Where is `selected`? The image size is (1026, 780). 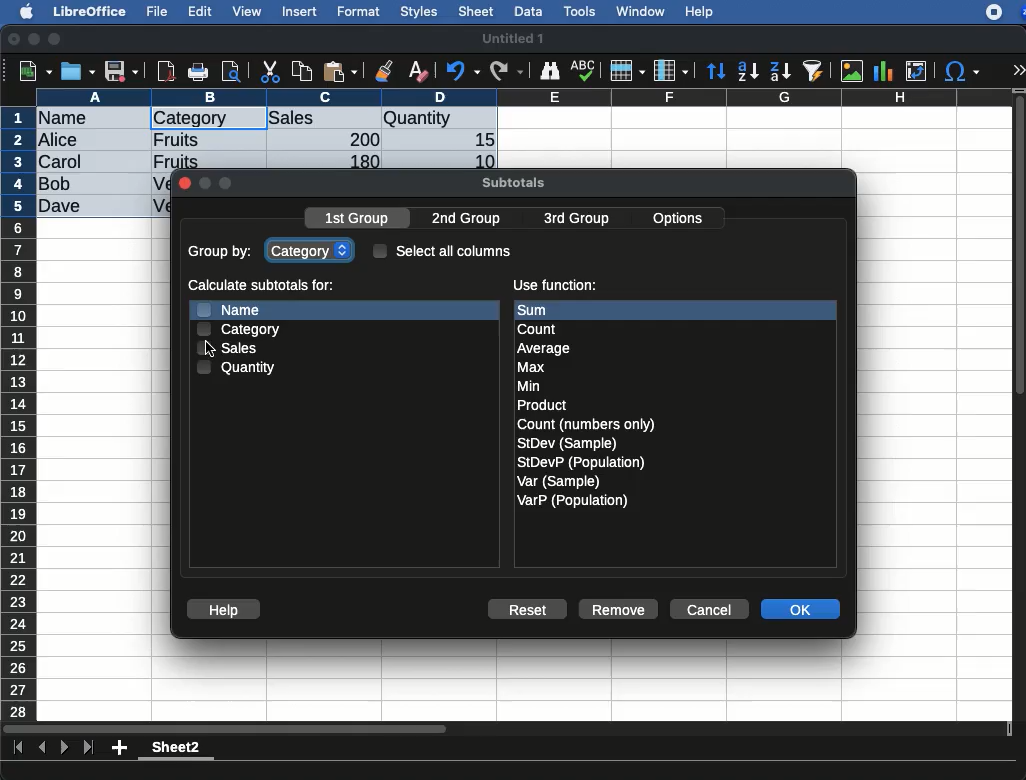 selected is located at coordinates (246, 118).